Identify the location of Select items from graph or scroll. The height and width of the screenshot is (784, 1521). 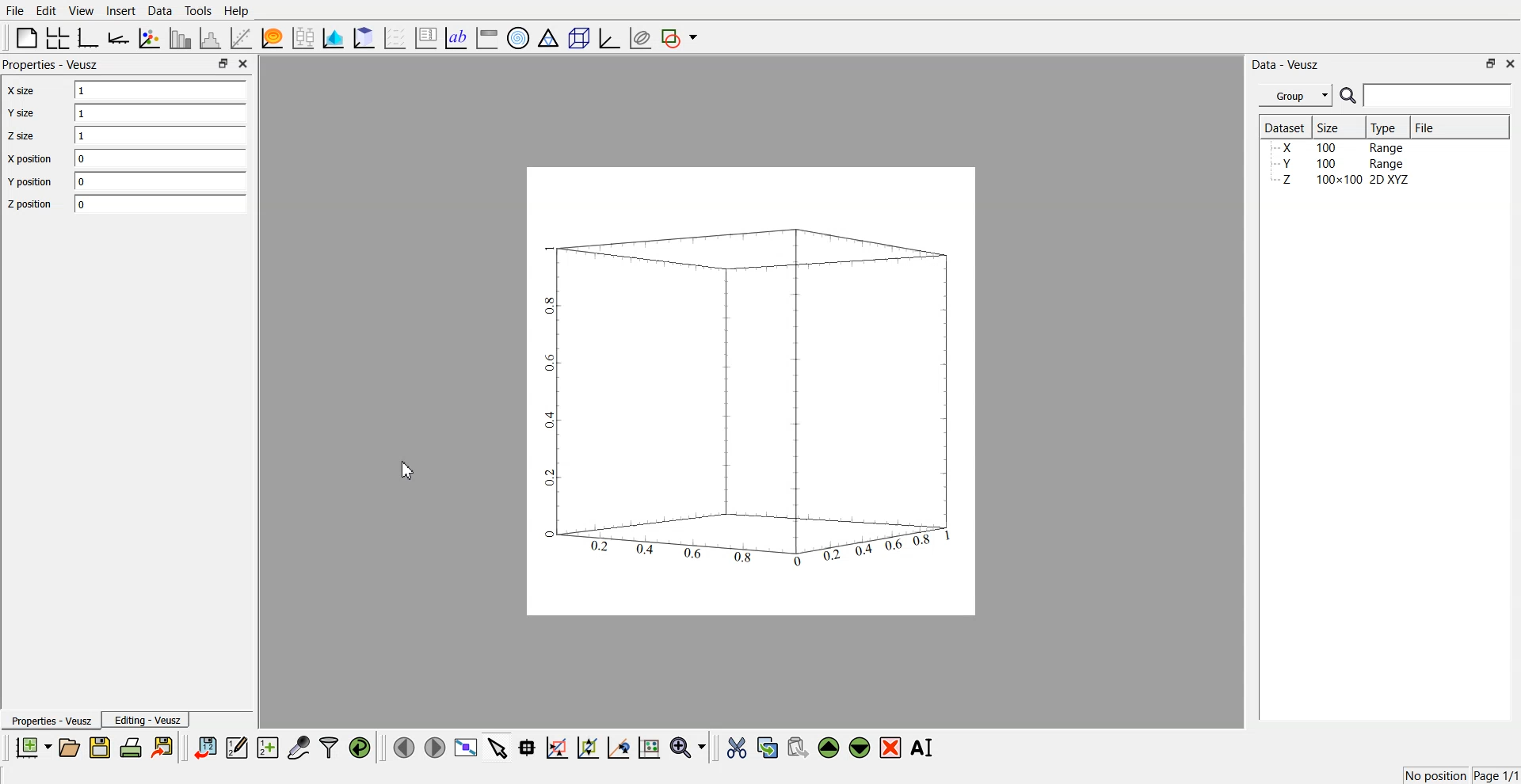
(498, 746).